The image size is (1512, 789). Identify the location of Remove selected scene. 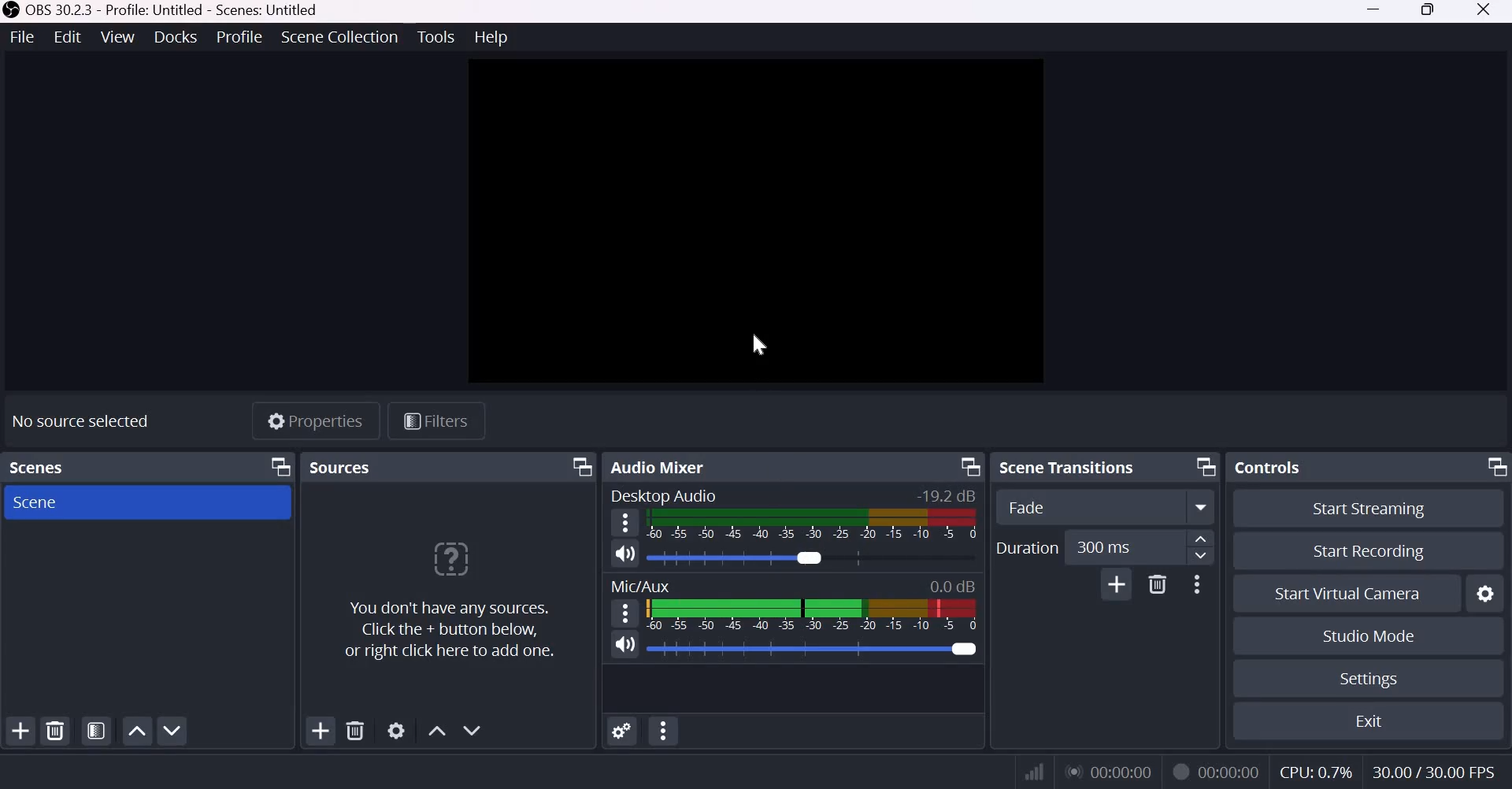
(55, 732).